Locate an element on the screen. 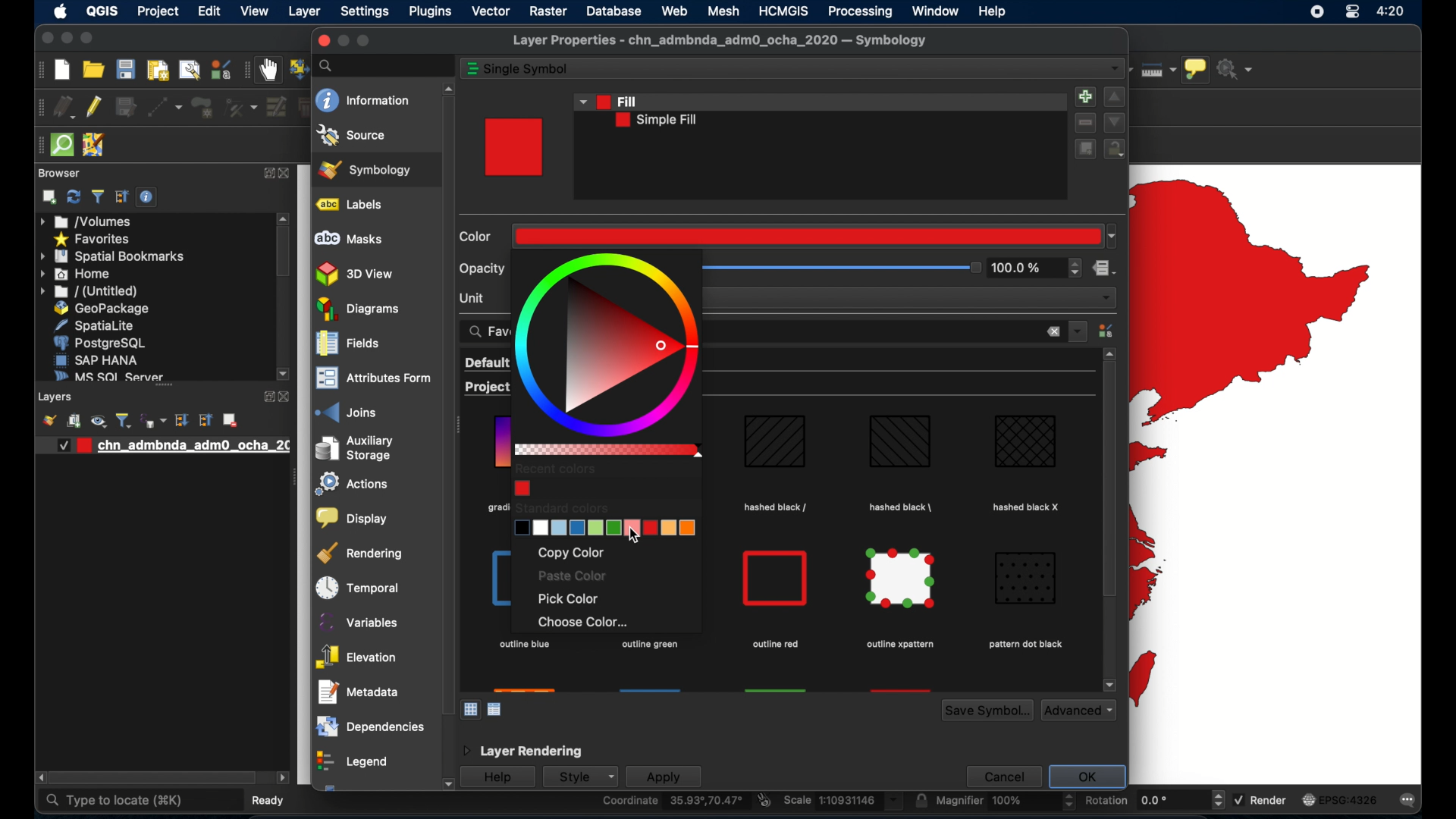 The width and height of the screenshot is (1456, 819). scroll right is located at coordinates (38, 778).